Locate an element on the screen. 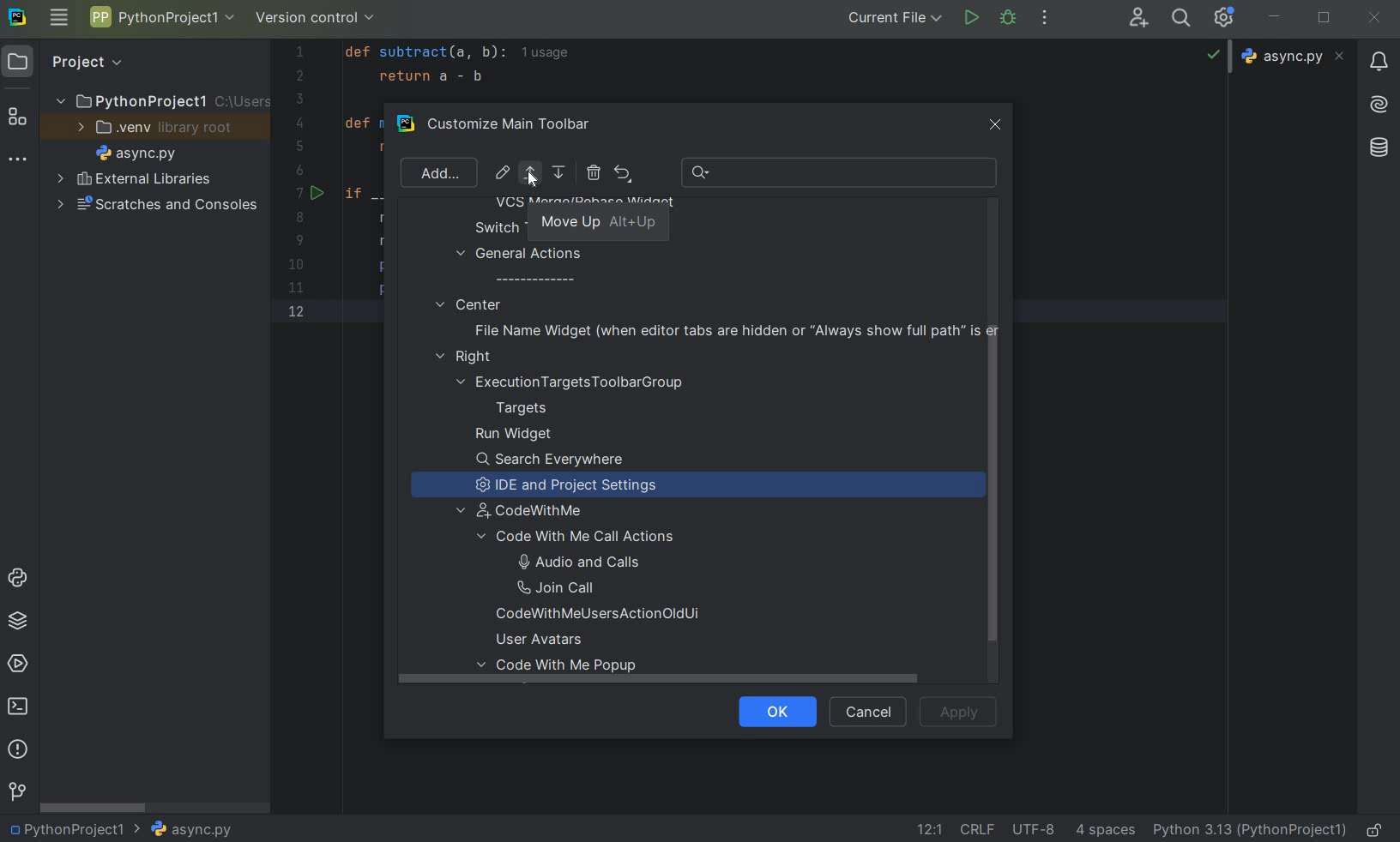  SEARCH EVERYWHERE is located at coordinates (1185, 18).